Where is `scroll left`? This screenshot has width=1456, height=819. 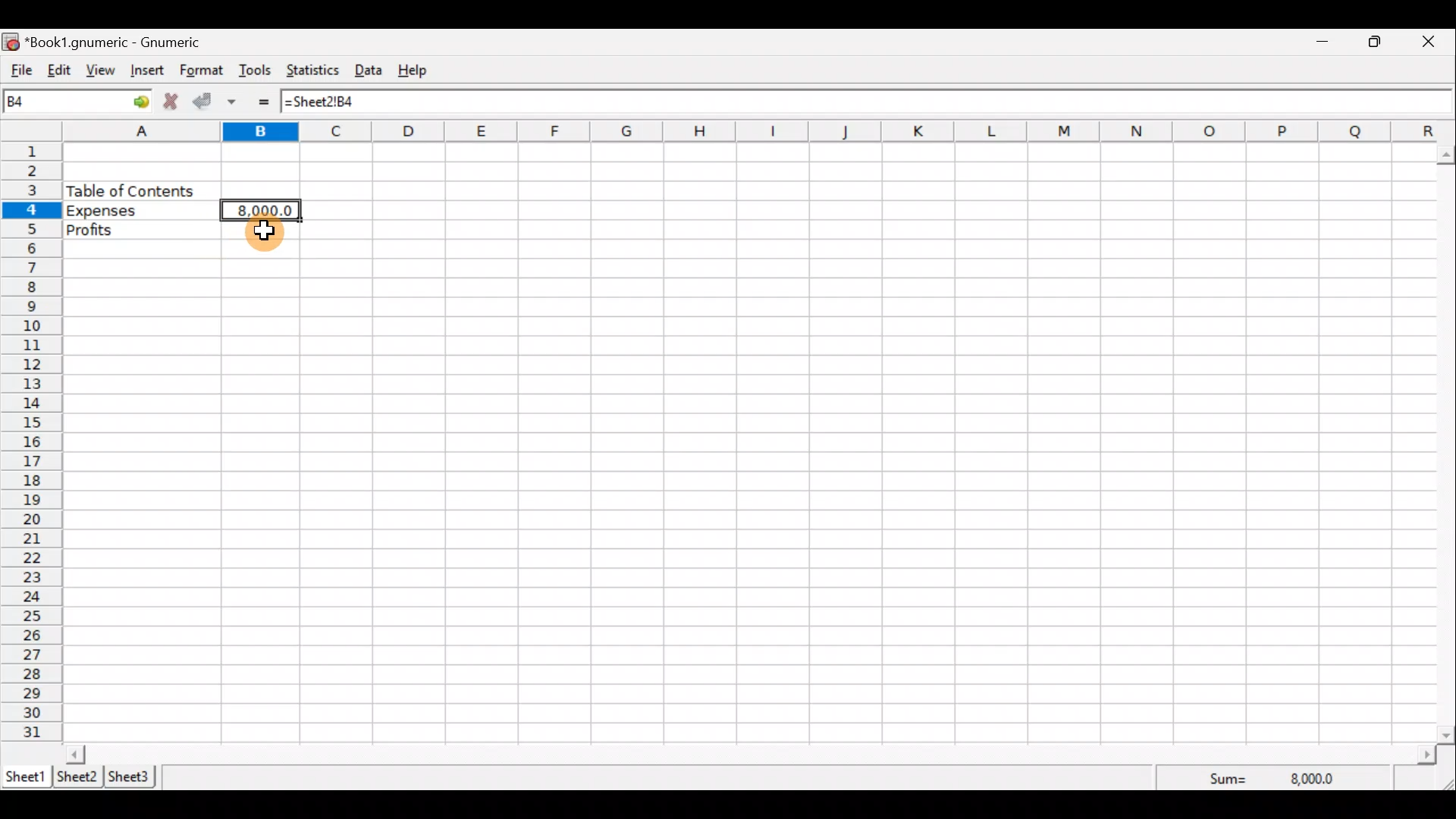
scroll left is located at coordinates (75, 754).